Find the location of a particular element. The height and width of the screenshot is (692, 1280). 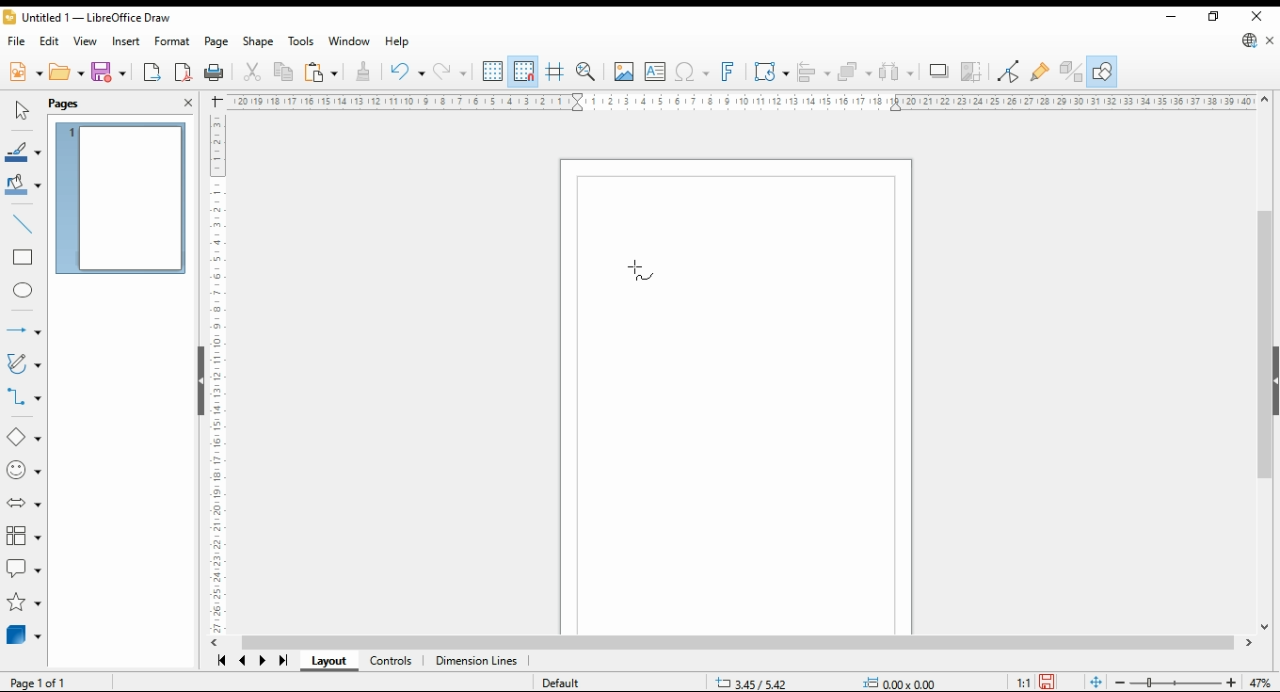

line color is located at coordinates (22, 153).